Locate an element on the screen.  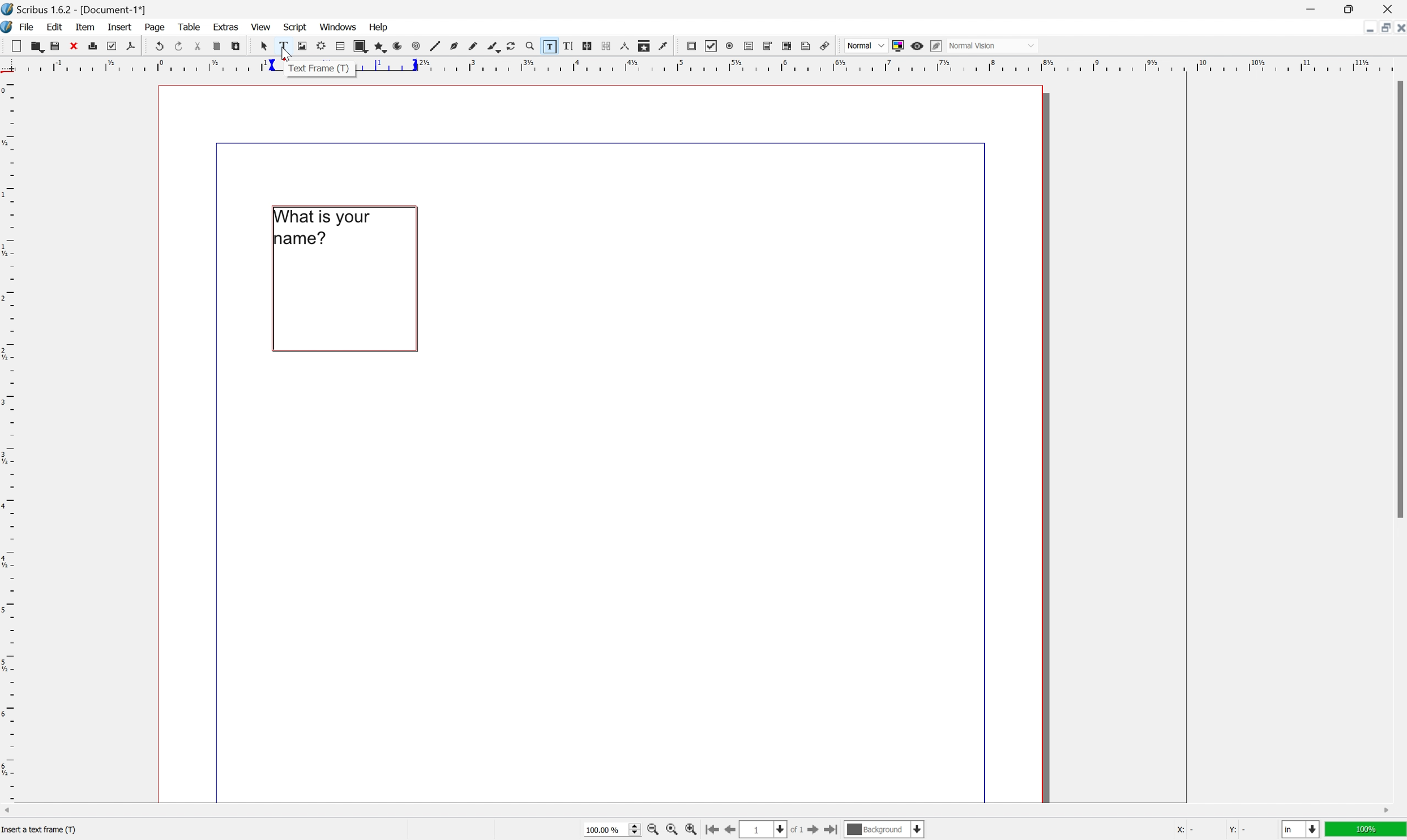
cut is located at coordinates (198, 46).